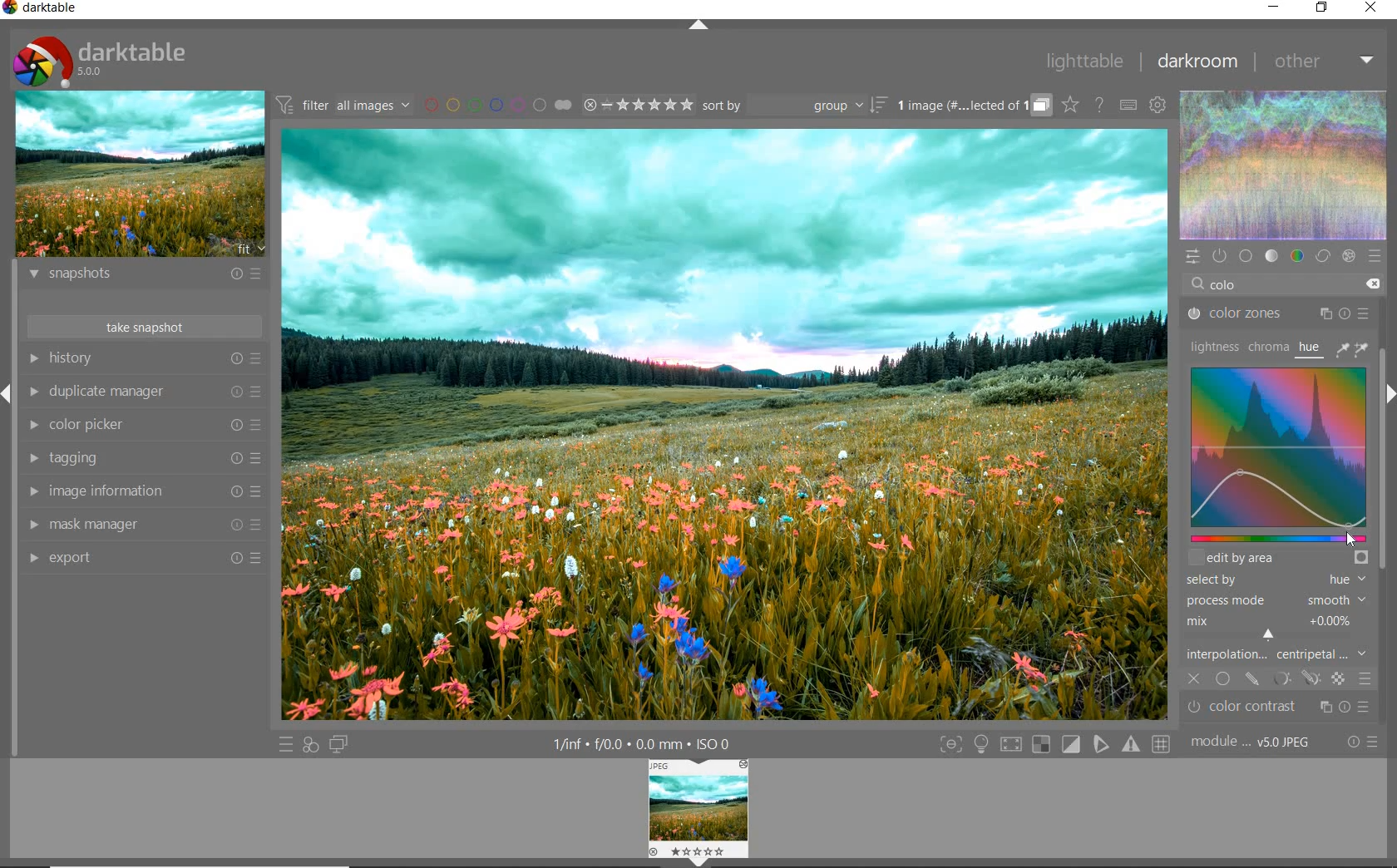 The image size is (1397, 868). Describe the element at coordinates (147, 393) in the screenshot. I see `duplicate manager` at that location.